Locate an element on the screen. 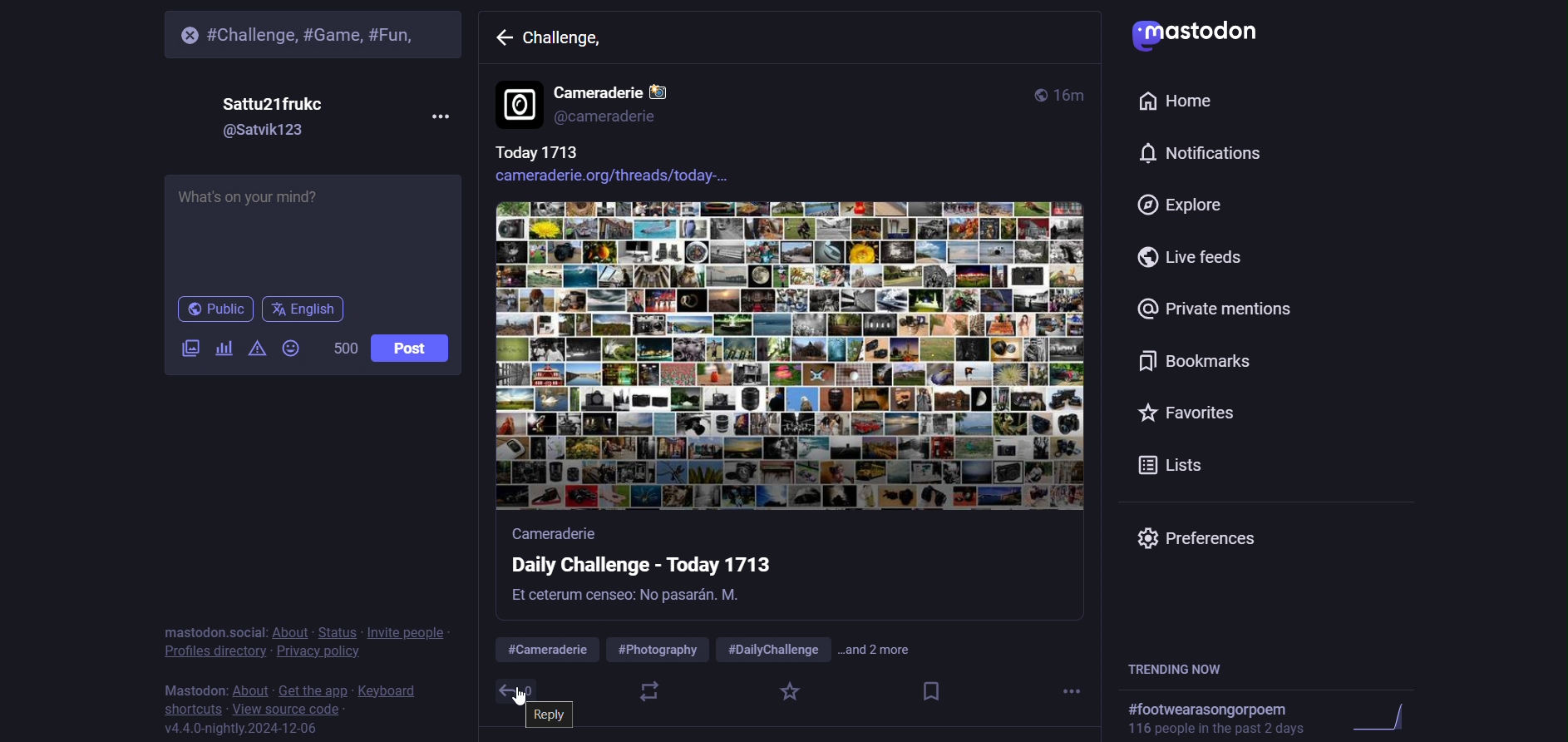  display picture is located at coordinates (518, 105).